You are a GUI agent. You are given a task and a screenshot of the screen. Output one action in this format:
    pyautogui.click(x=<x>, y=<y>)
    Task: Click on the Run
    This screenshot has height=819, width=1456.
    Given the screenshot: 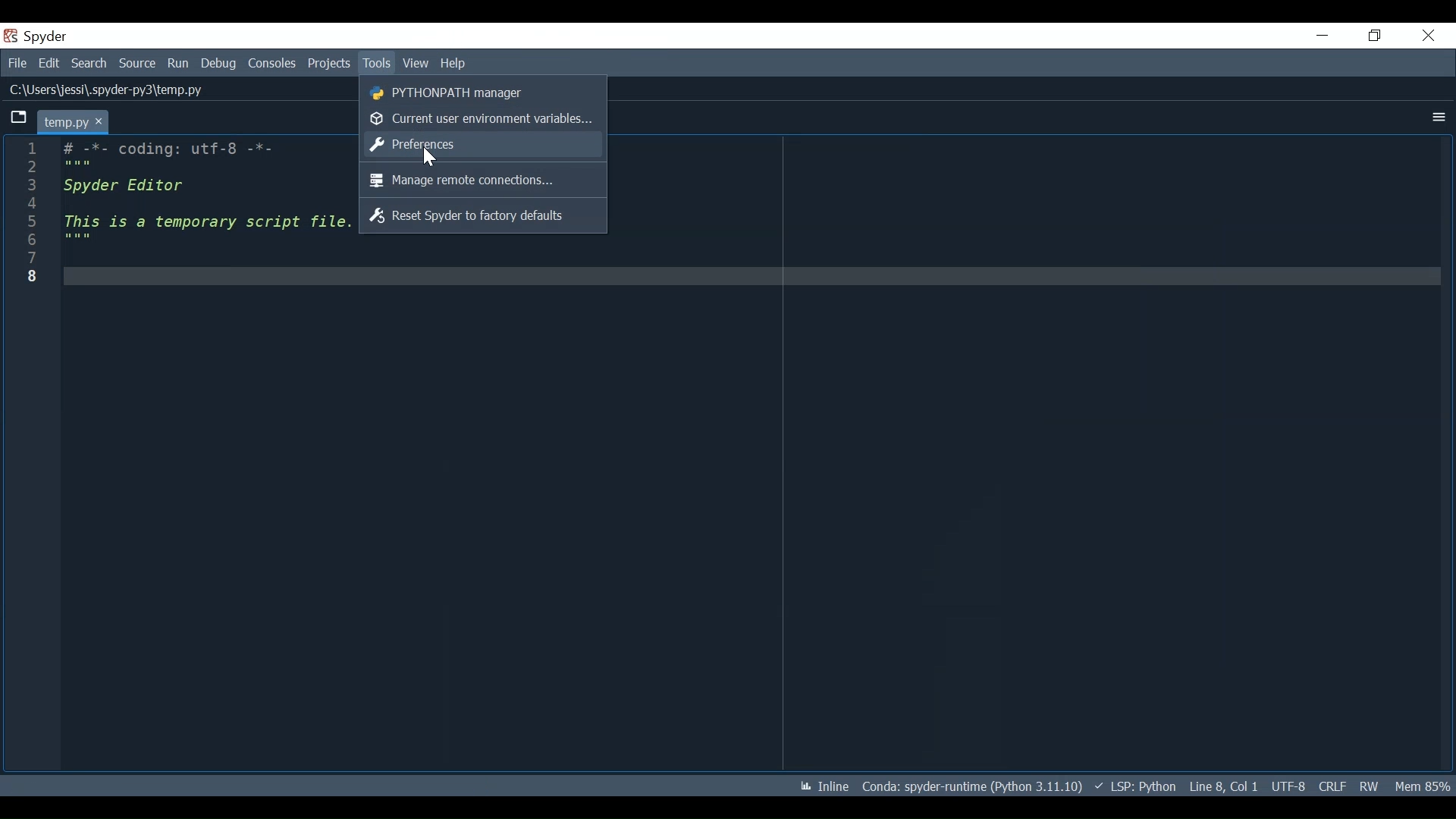 What is the action you would take?
    pyautogui.click(x=178, y=65)
    